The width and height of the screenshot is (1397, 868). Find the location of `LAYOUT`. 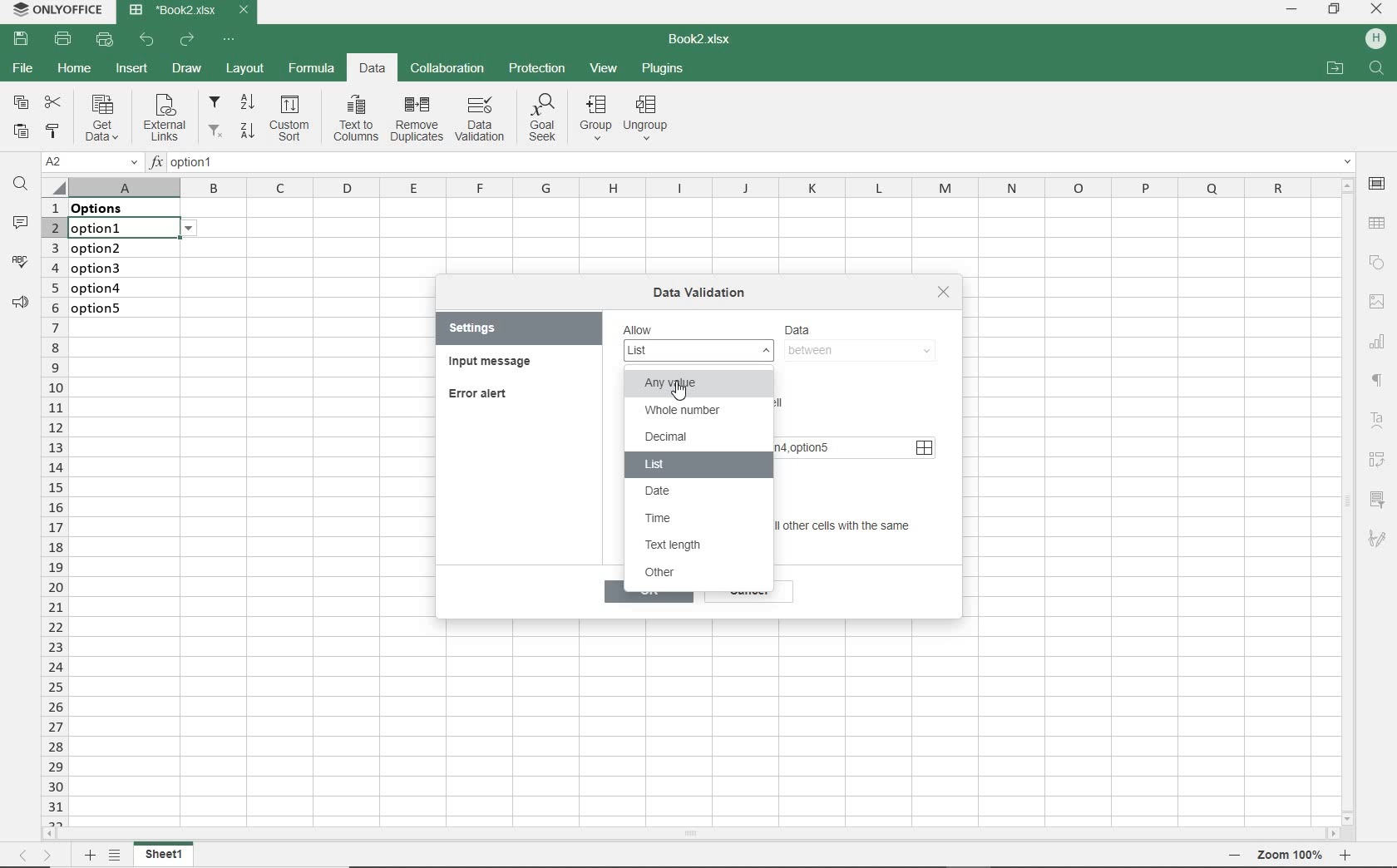

LAYOUT is located at coordinates (245, 68).